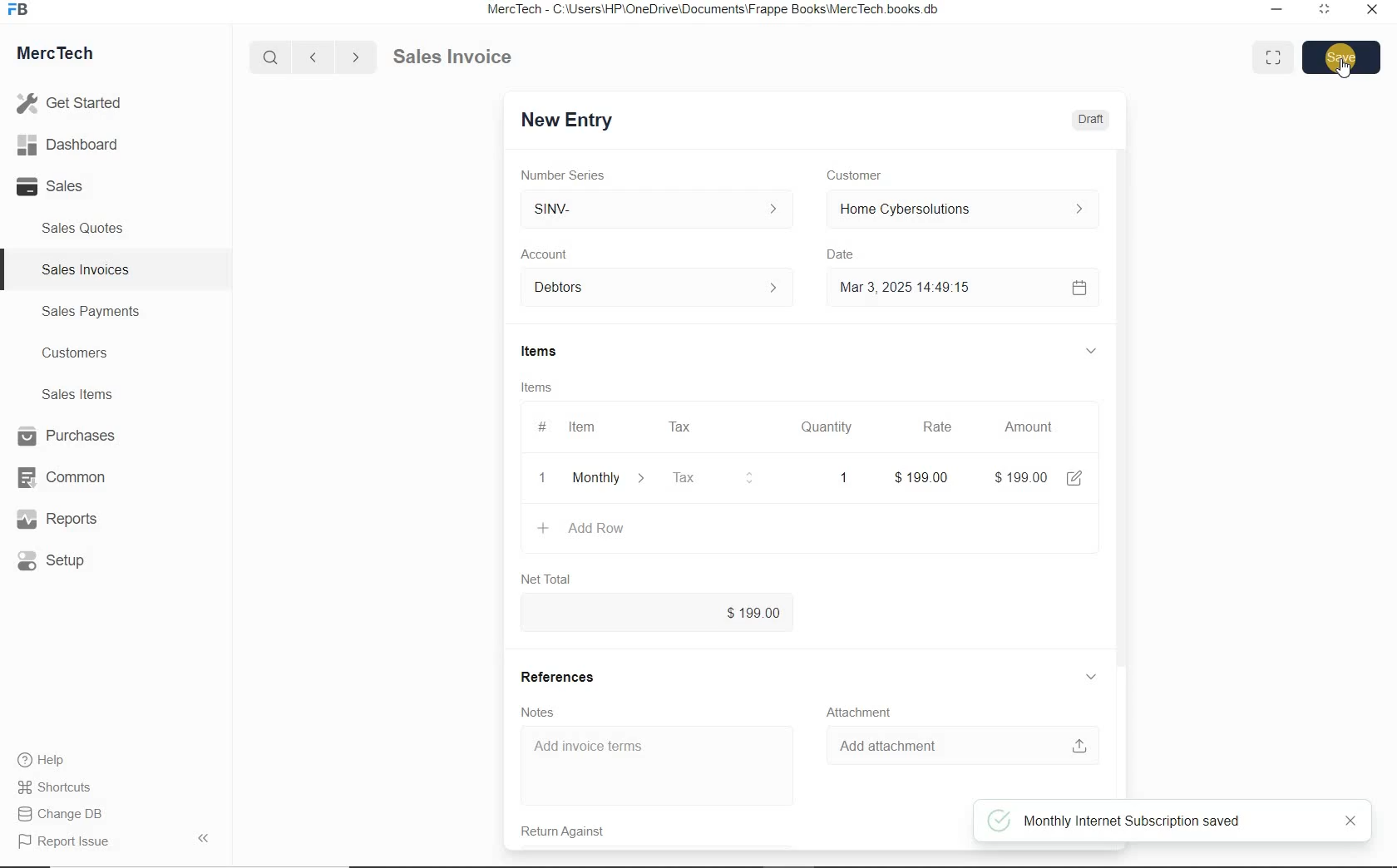  I want to click on Add attachment, so click(962, 745).